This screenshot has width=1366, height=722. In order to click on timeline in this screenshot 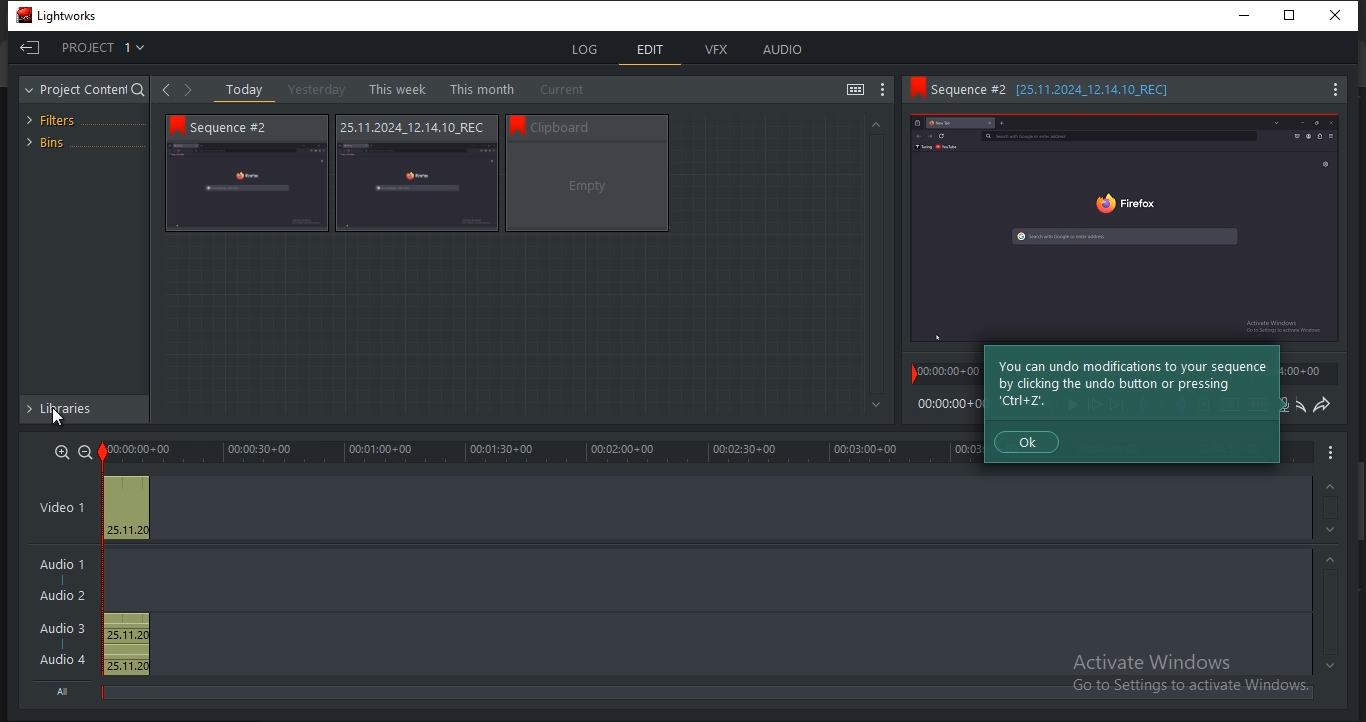, I will do `click(539, 453)`.